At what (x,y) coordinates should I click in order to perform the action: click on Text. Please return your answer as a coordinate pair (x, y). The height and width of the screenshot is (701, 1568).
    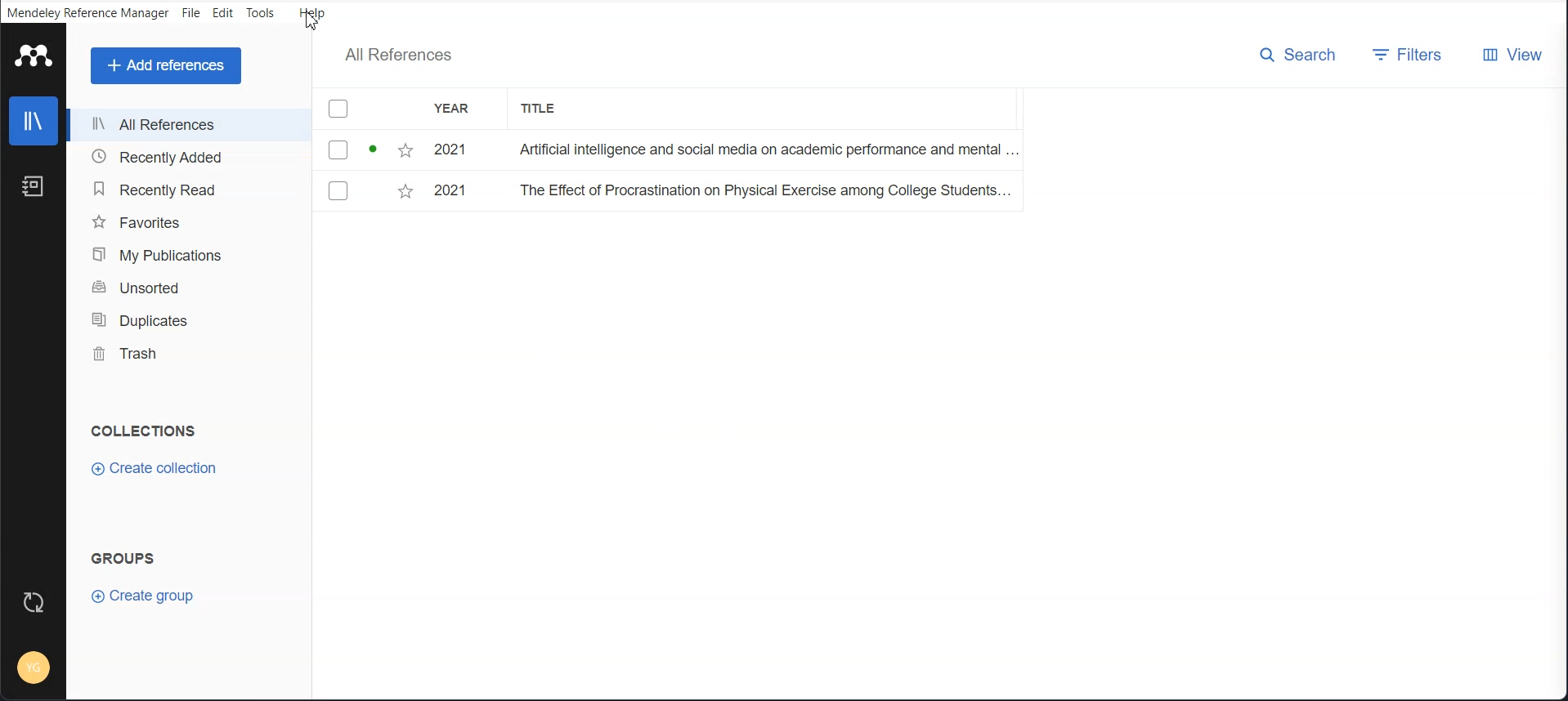
    Looking at the image, I should click on (144, 432).